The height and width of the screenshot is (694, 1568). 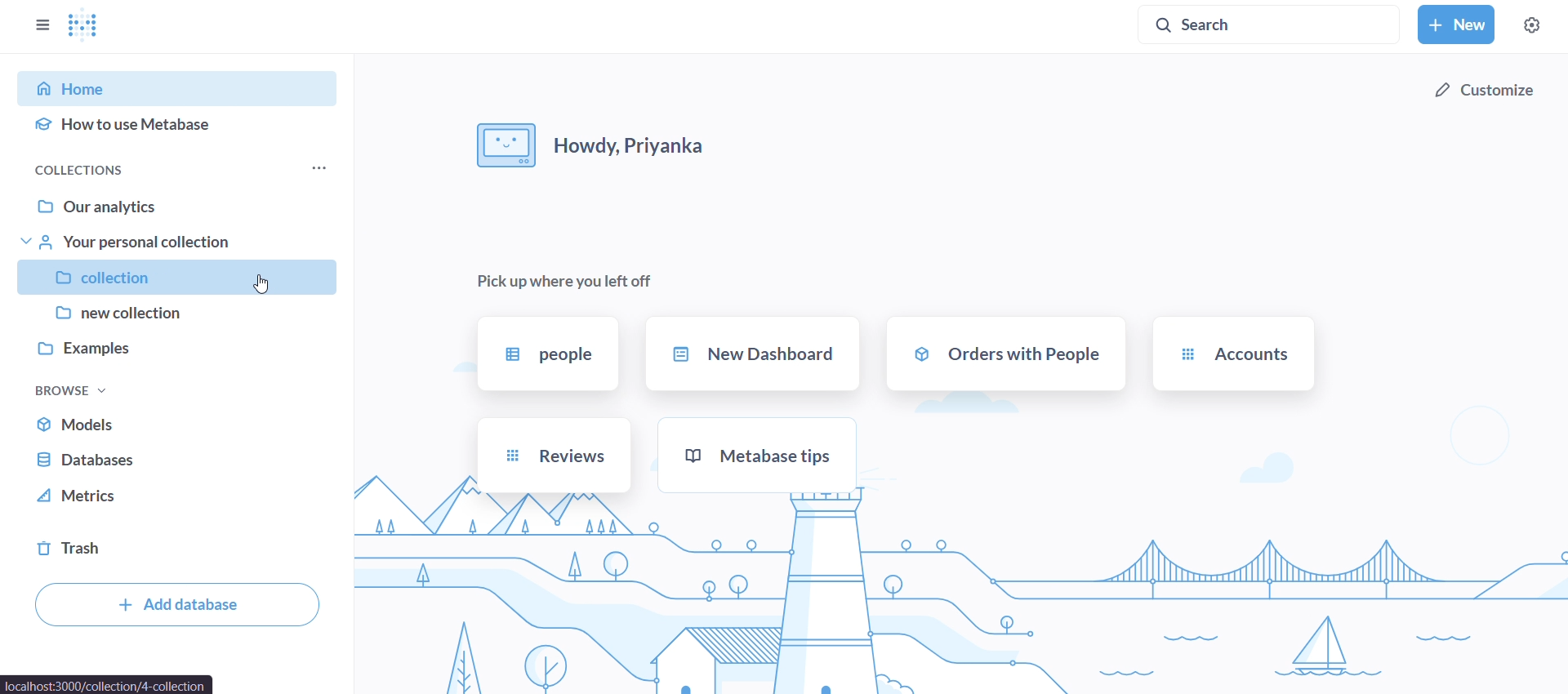 I want to click on new dashboard, so click(x=755, y=357).